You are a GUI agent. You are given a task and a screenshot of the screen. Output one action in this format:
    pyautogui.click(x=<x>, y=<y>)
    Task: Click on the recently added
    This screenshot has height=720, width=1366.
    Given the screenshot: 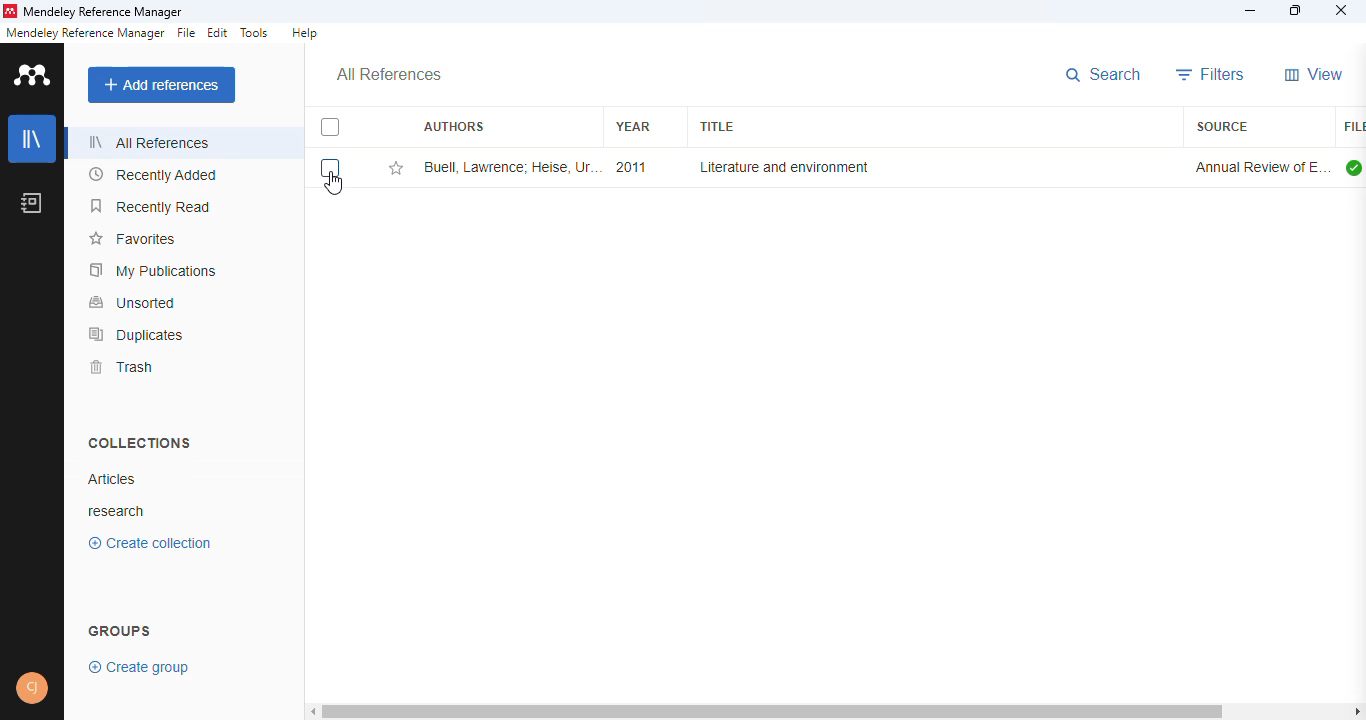 What is the action you would take?
    pyautogui.click(x=153, y=174)
    